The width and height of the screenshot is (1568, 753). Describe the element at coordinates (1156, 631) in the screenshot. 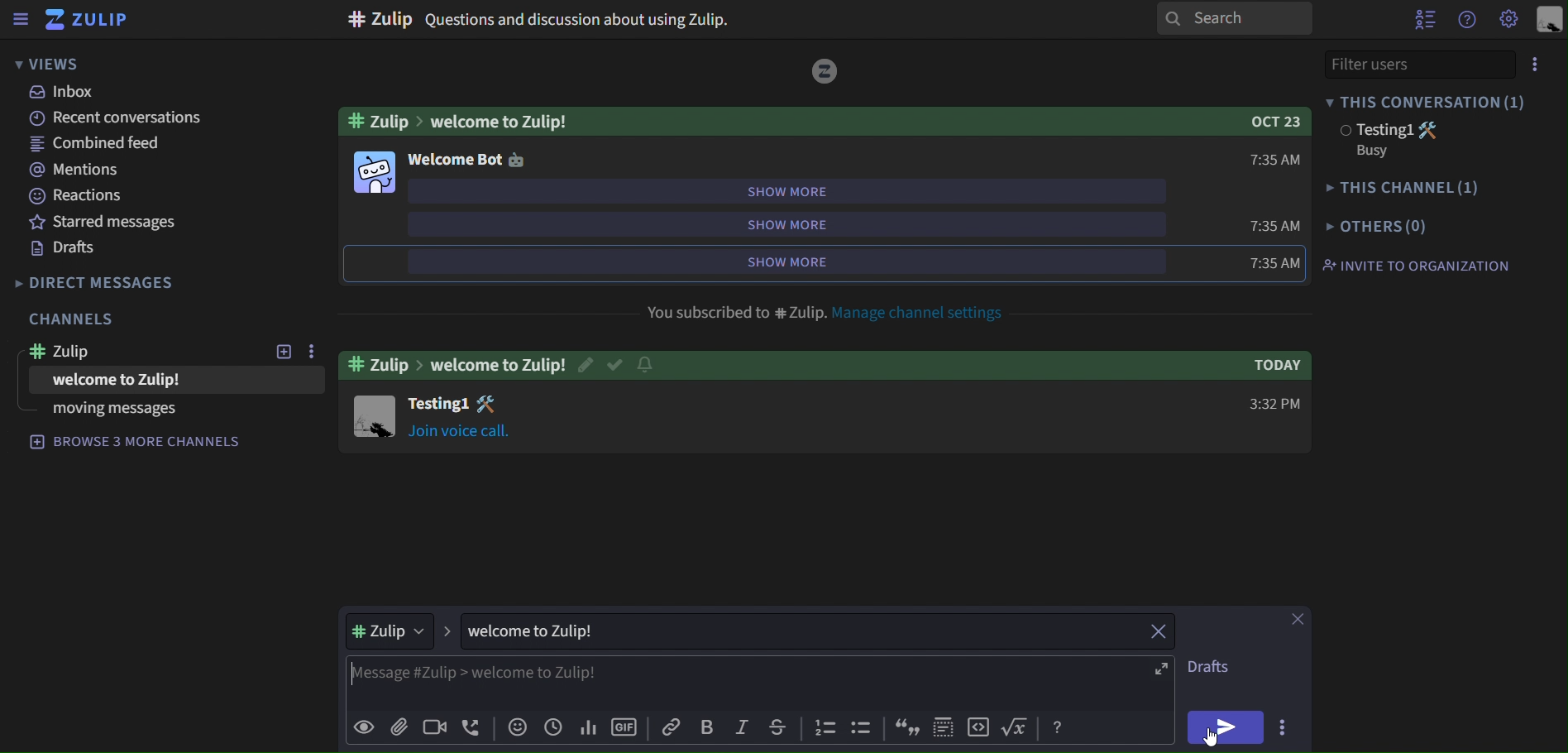

I see `close` at that location.